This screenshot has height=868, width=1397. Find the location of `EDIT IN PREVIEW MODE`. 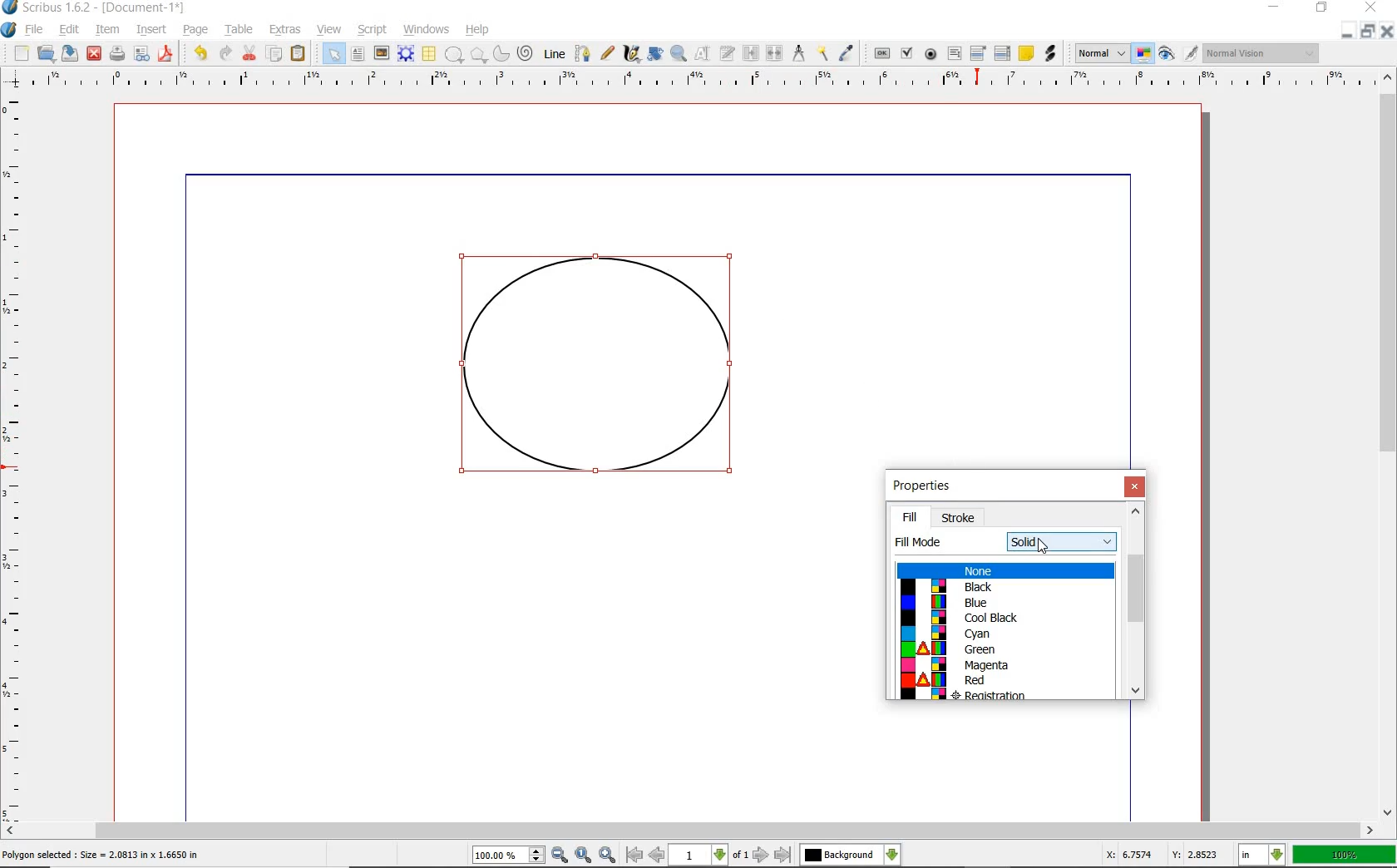

EDIT IN PREVIEW MODE is located at coordinates (1190, 52).